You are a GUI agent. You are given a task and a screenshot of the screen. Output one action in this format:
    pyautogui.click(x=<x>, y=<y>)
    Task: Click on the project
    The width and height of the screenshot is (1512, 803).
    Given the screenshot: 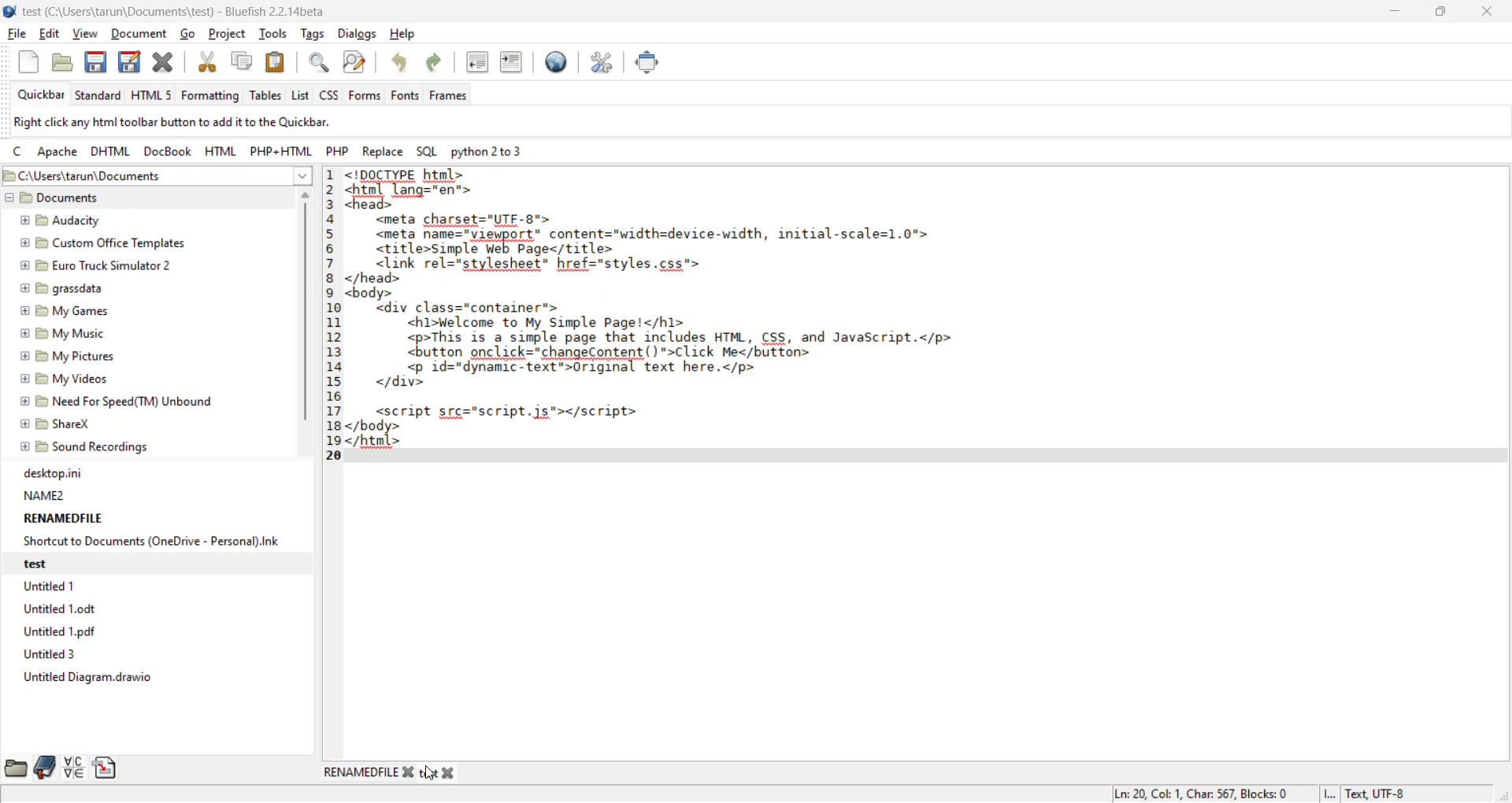 What is the action you would take?
    pyautogui.click(x=227, y=35)
    